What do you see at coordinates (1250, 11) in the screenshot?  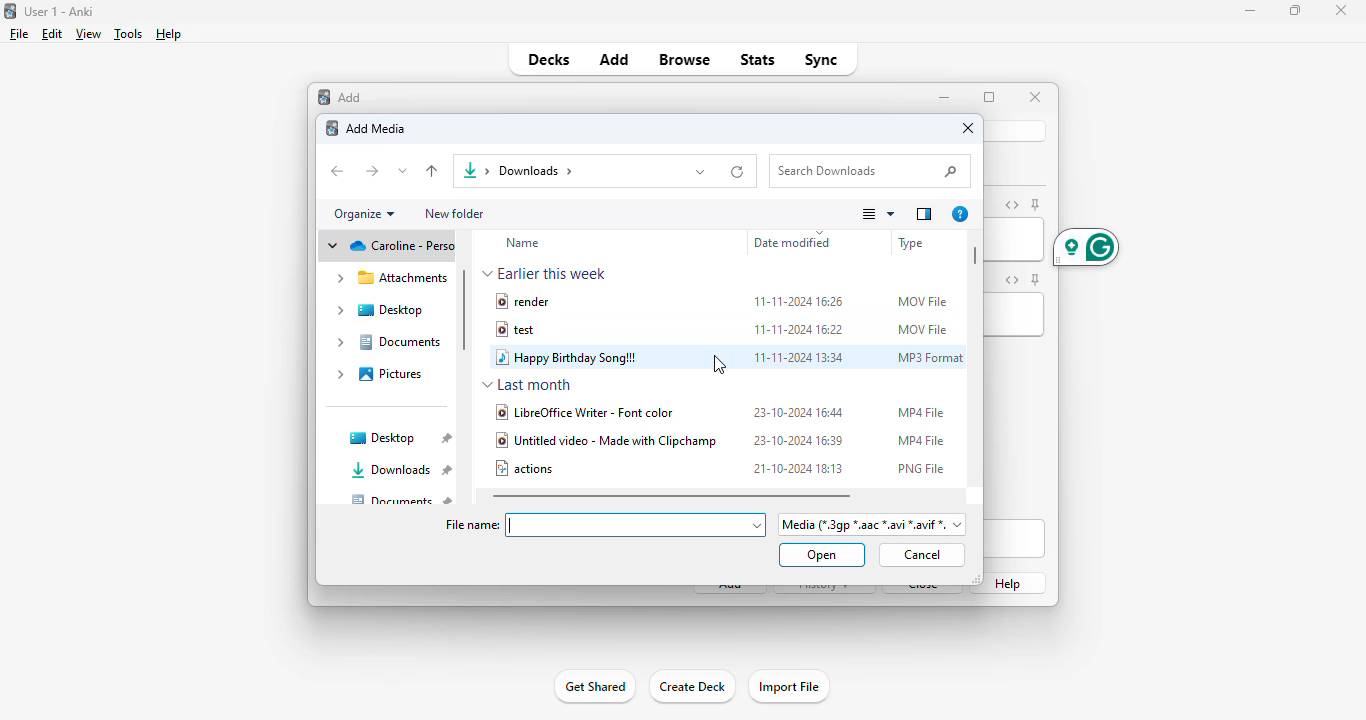 I see `minimize` at bounding box center [1250, 11].